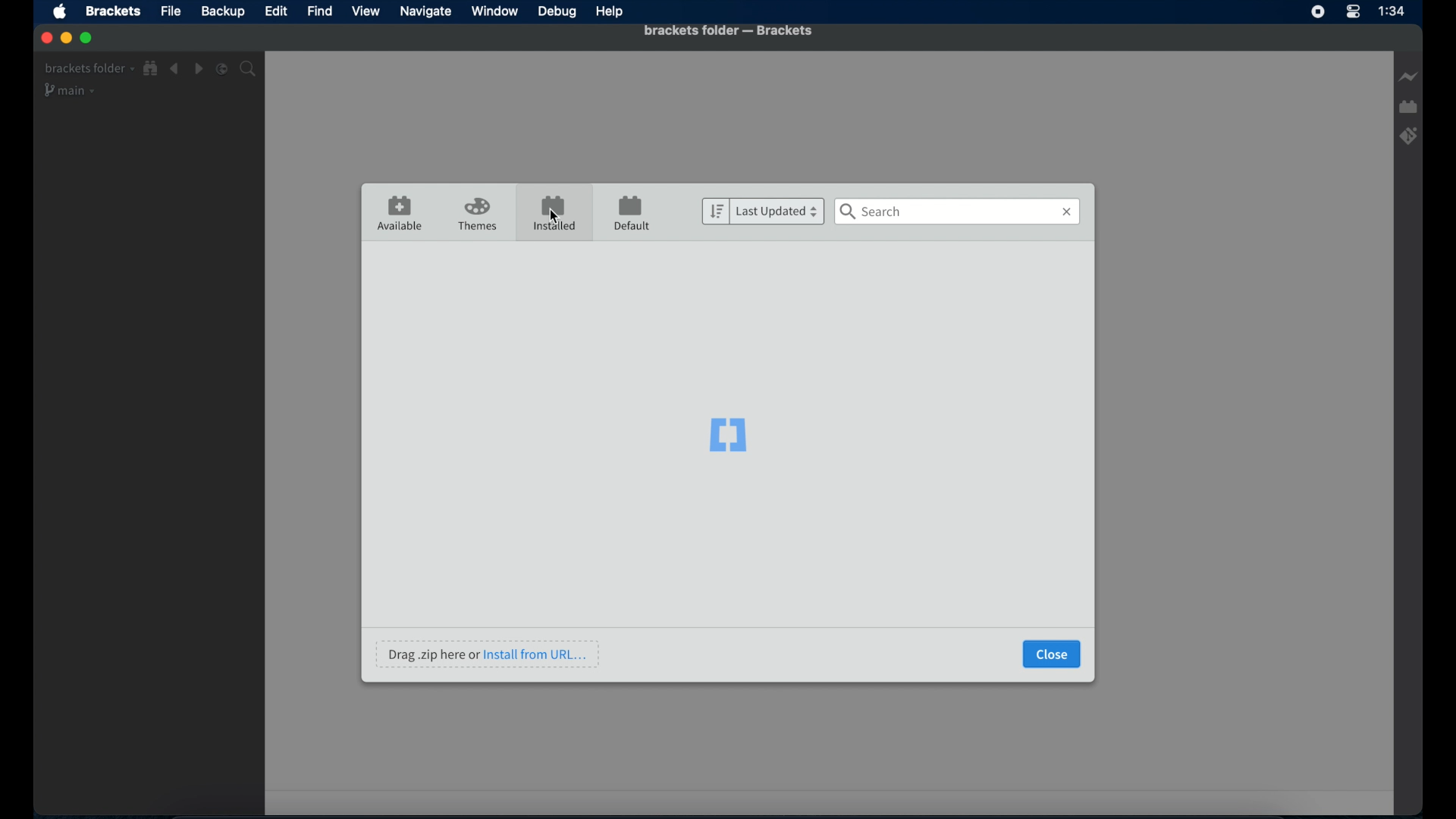  I want to click on Screen recorder icon, so click(1319, 11).